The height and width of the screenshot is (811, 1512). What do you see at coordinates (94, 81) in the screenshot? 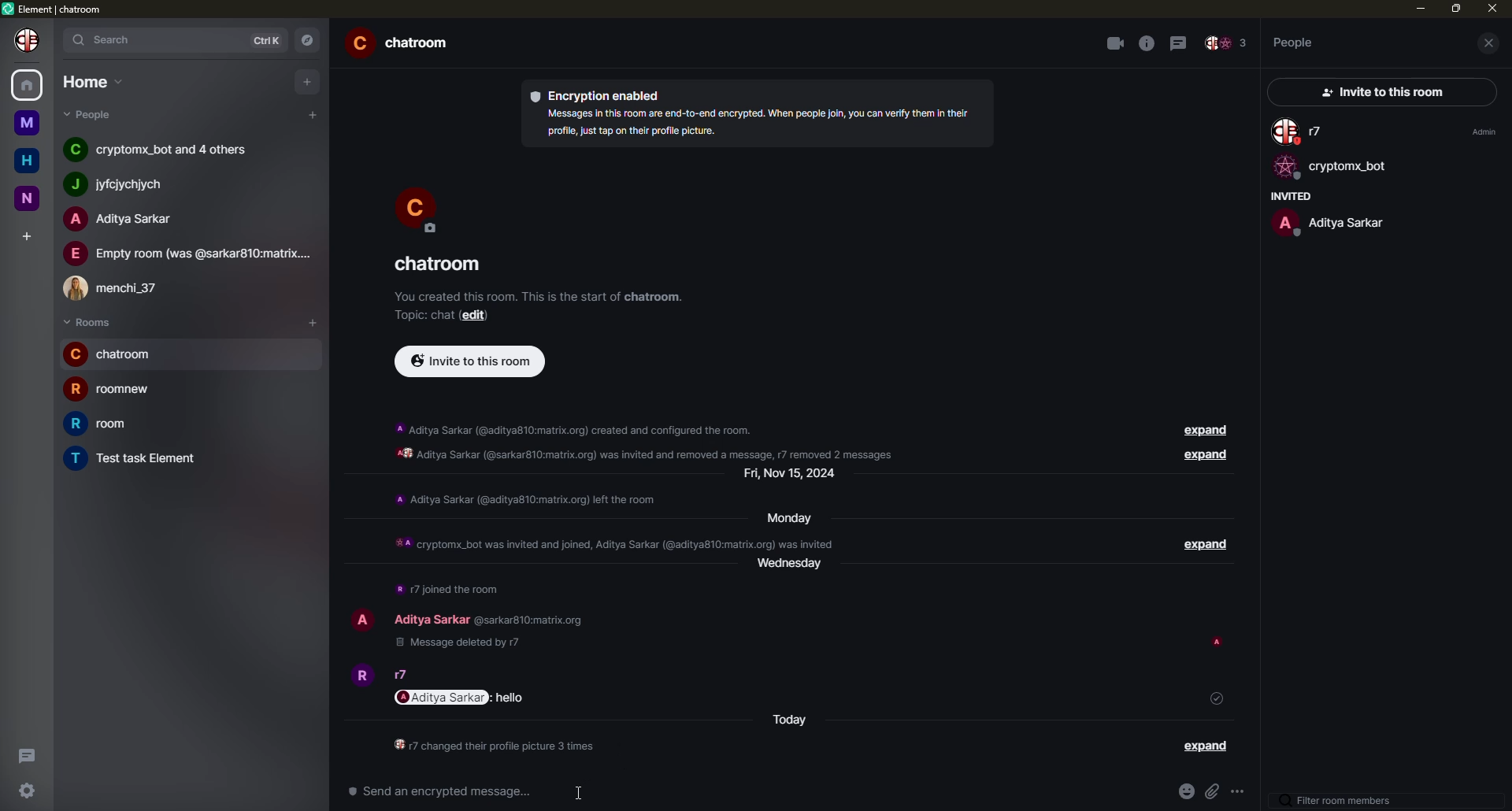
I see `home` at bounding box center [94, 81].